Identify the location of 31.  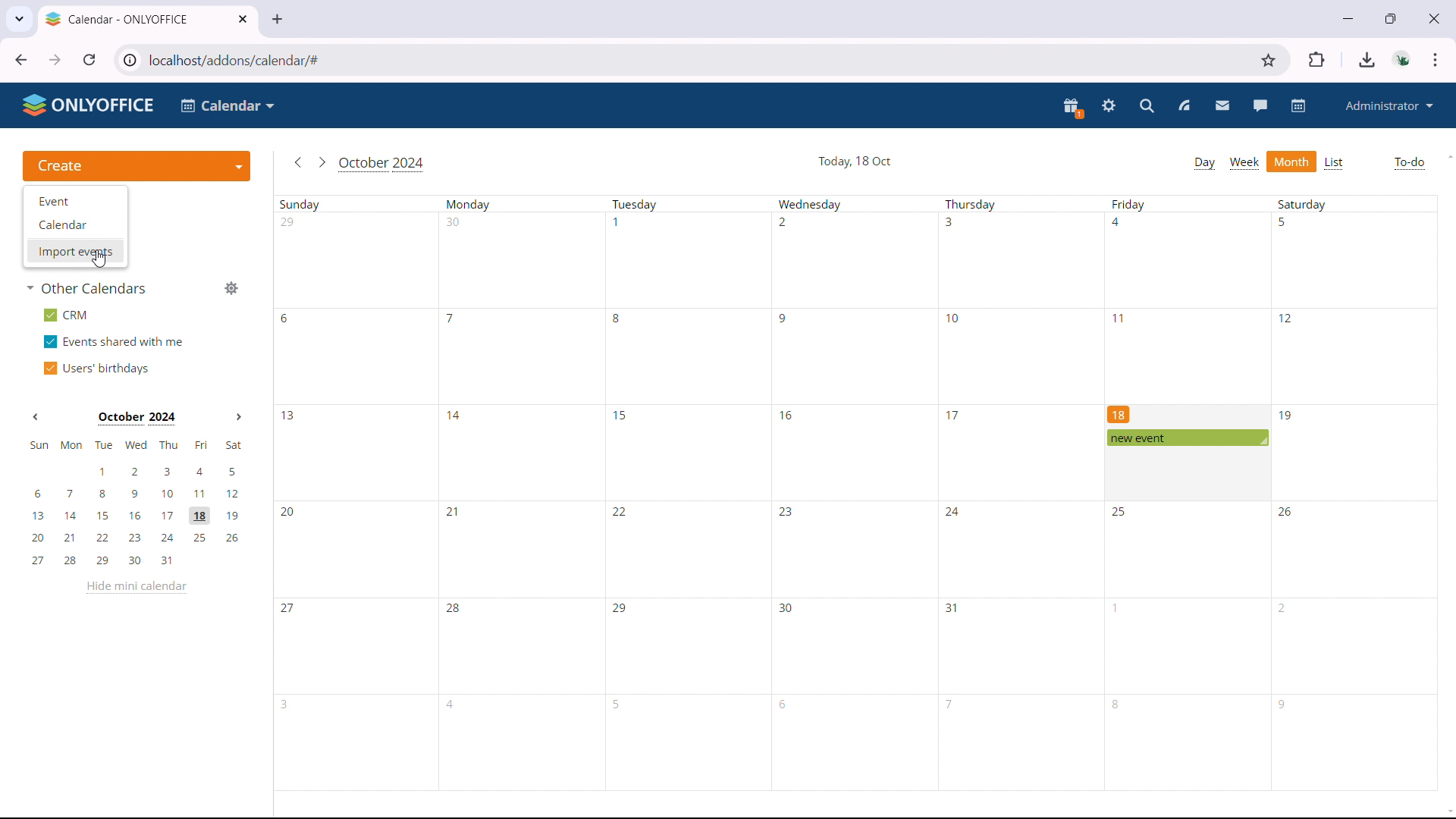
(952, 608).